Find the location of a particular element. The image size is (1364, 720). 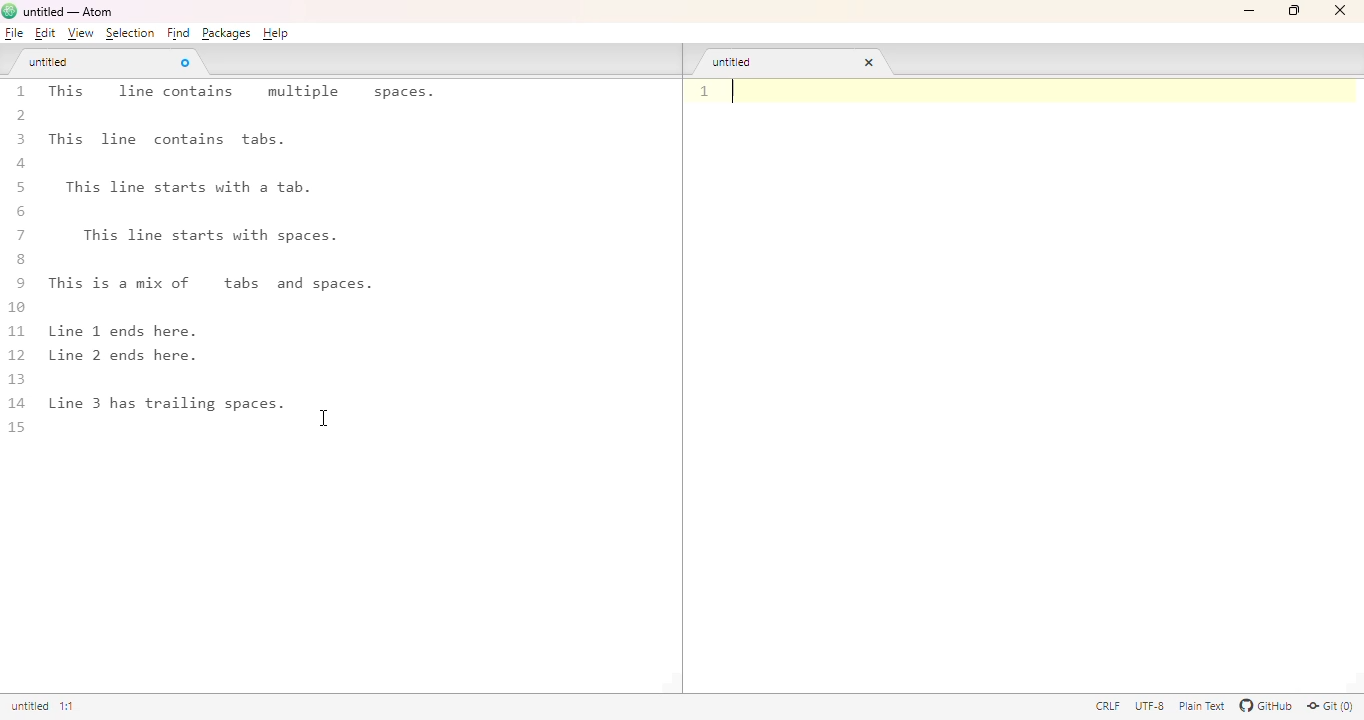

plain text is located at coordinates (1204, 706).